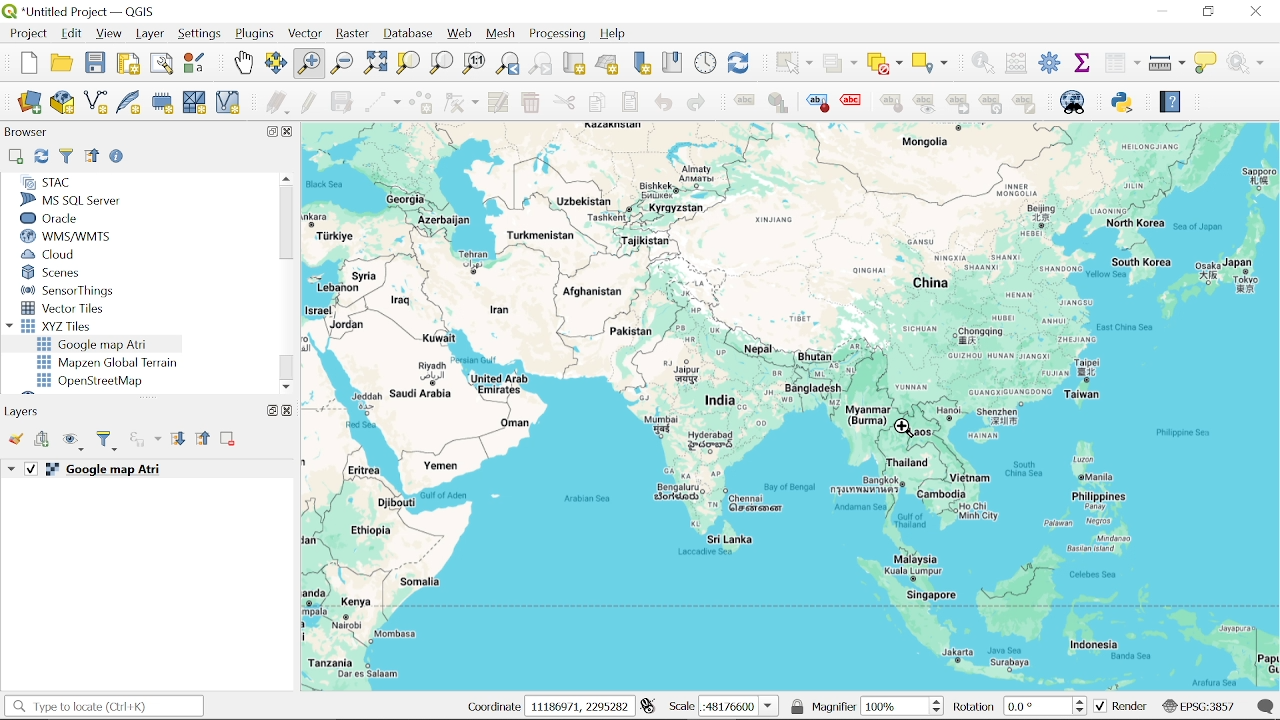  What do you see at coordinates (1169, 105) in the screenshot?
I see `Help` at bounding box center [1169, 105].